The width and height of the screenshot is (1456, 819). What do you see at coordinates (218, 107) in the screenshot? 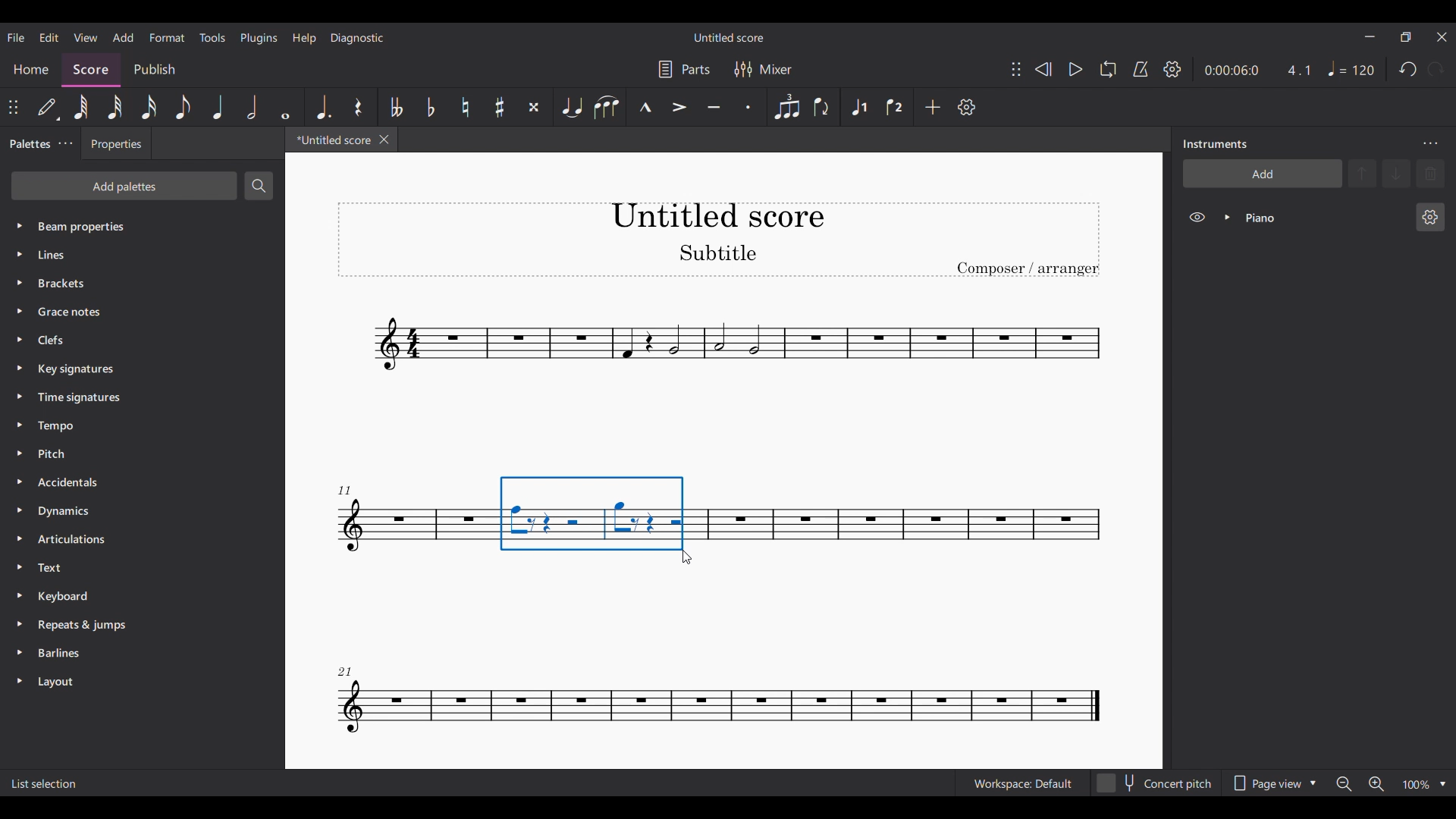
I see `Quarter note` at bounding box center [218, 107].